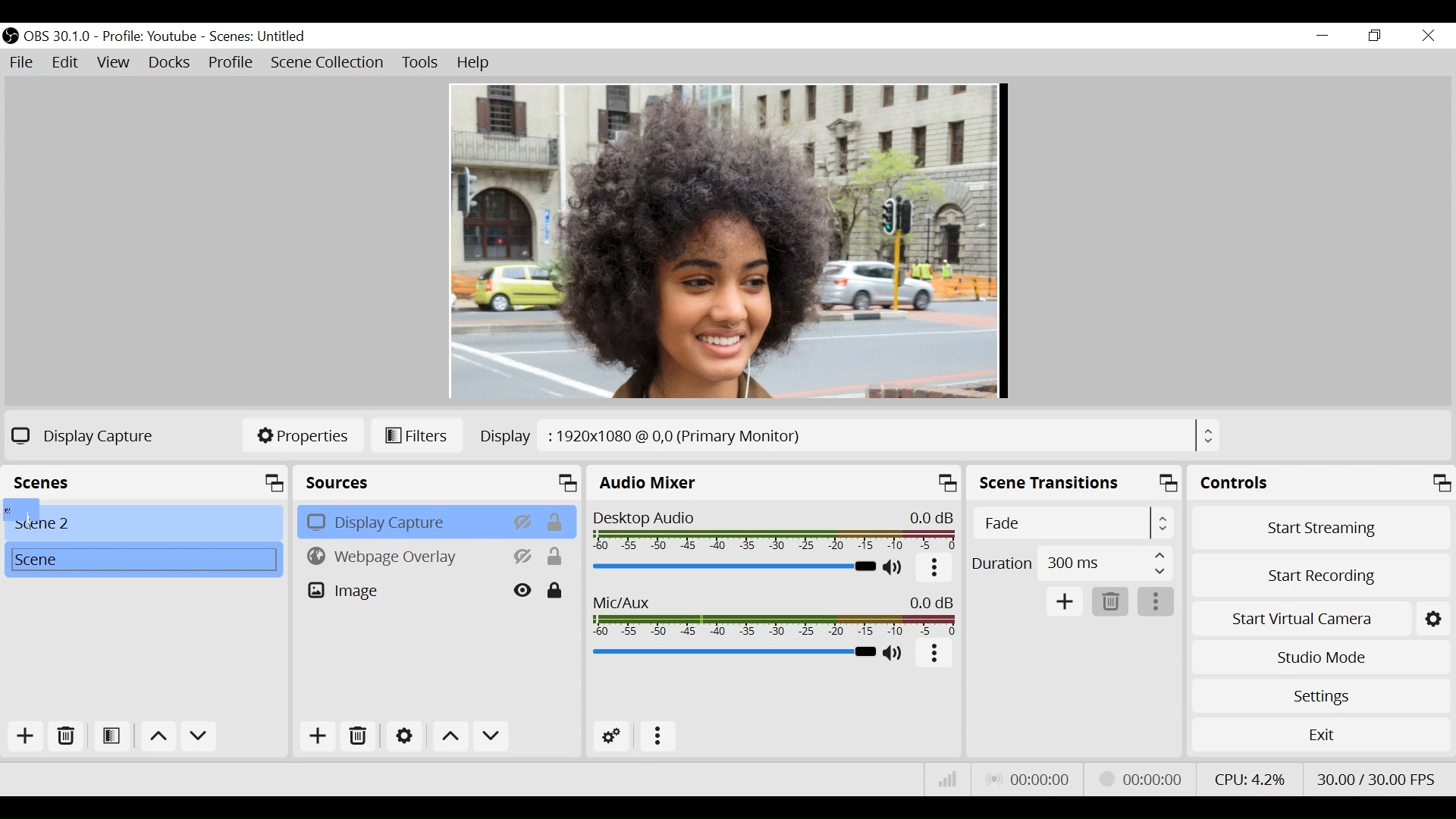 This screenshot has height=819, width=1456. I want to click on Move up, so click(157, 738).